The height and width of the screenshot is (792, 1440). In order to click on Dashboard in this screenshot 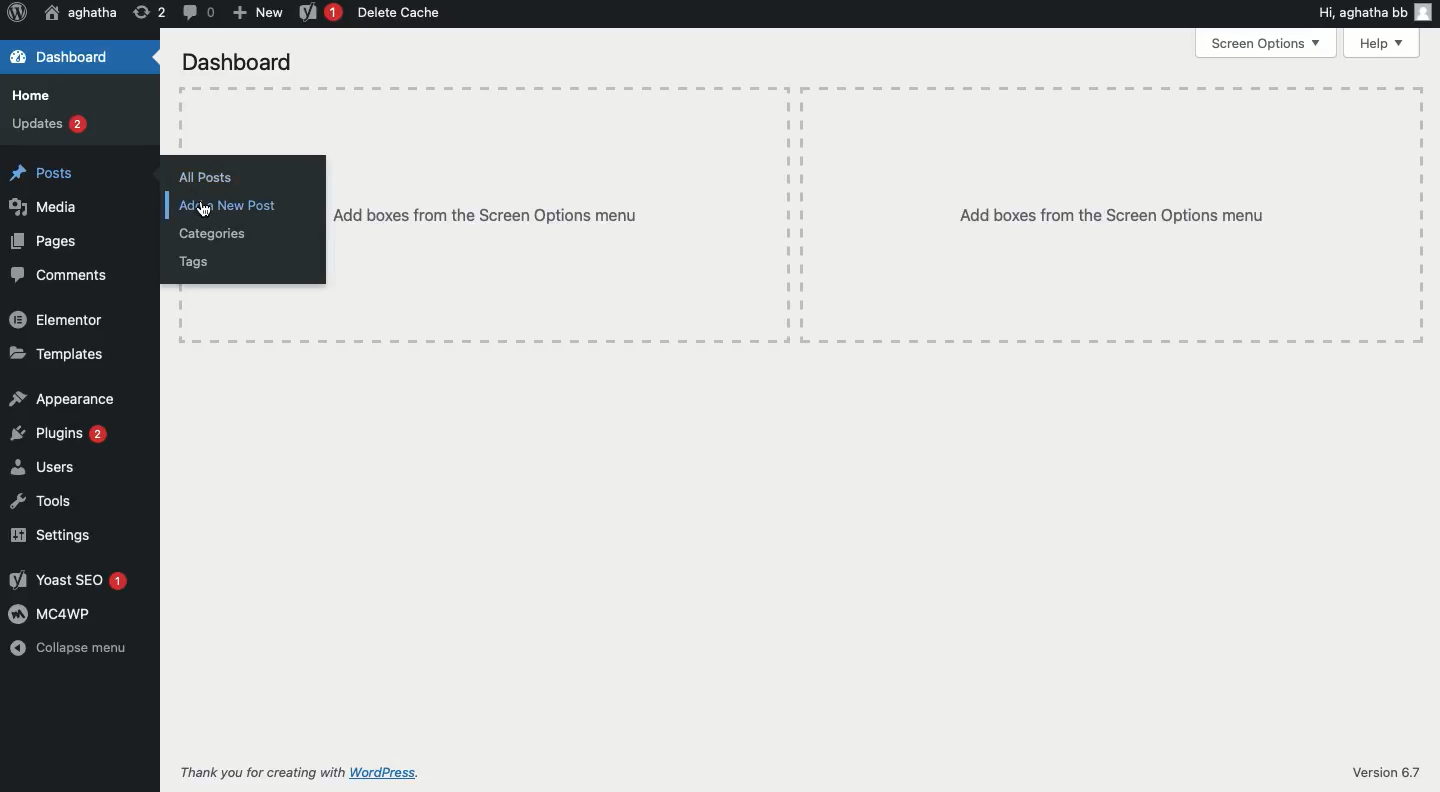, I will do `click(76, 57)`.